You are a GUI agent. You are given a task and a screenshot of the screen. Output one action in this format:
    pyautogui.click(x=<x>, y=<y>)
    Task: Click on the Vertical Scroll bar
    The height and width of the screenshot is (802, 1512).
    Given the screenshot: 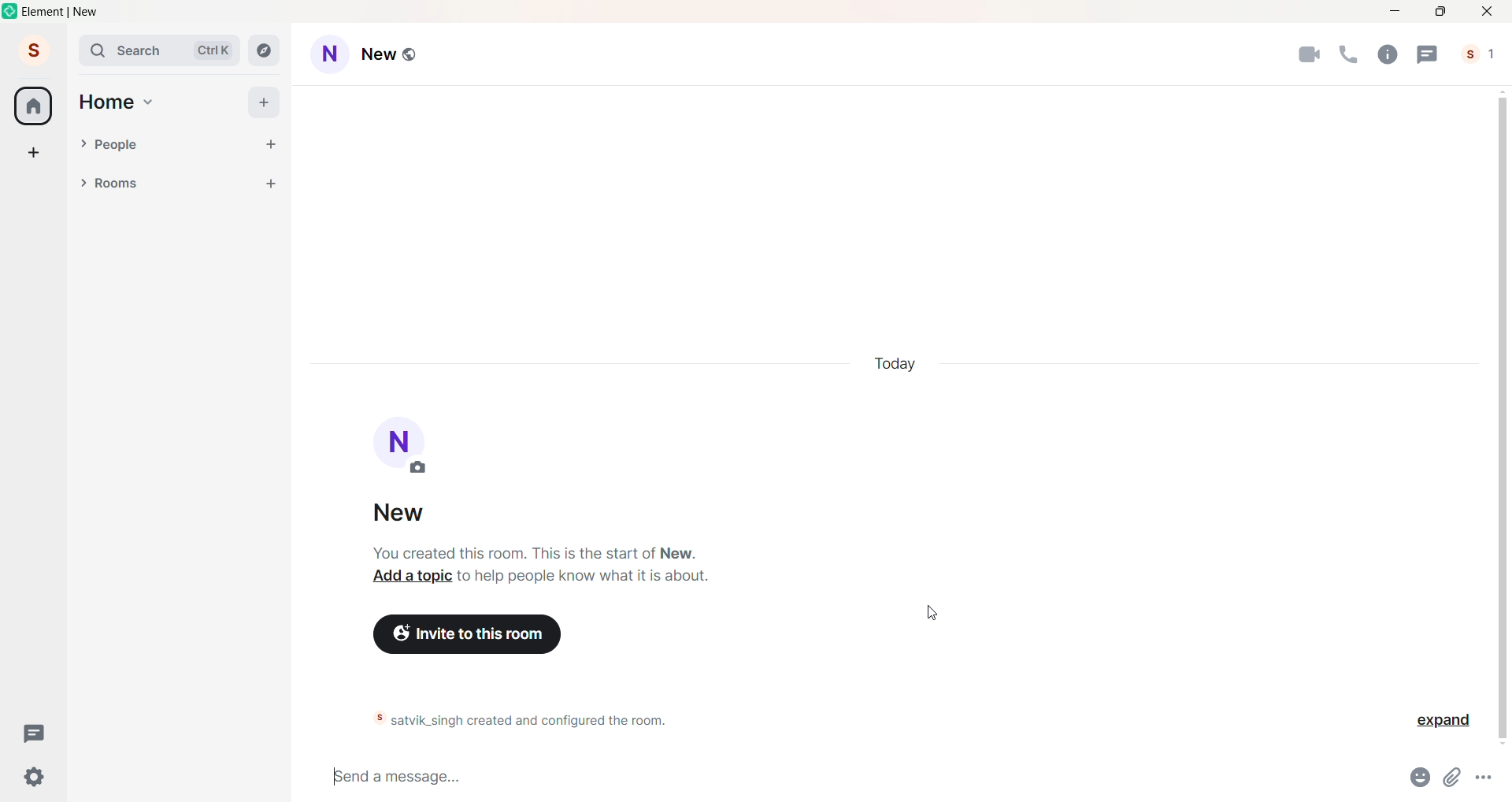 What is the action you would take?
    pyautogui.click(x=1498, y=419)
    